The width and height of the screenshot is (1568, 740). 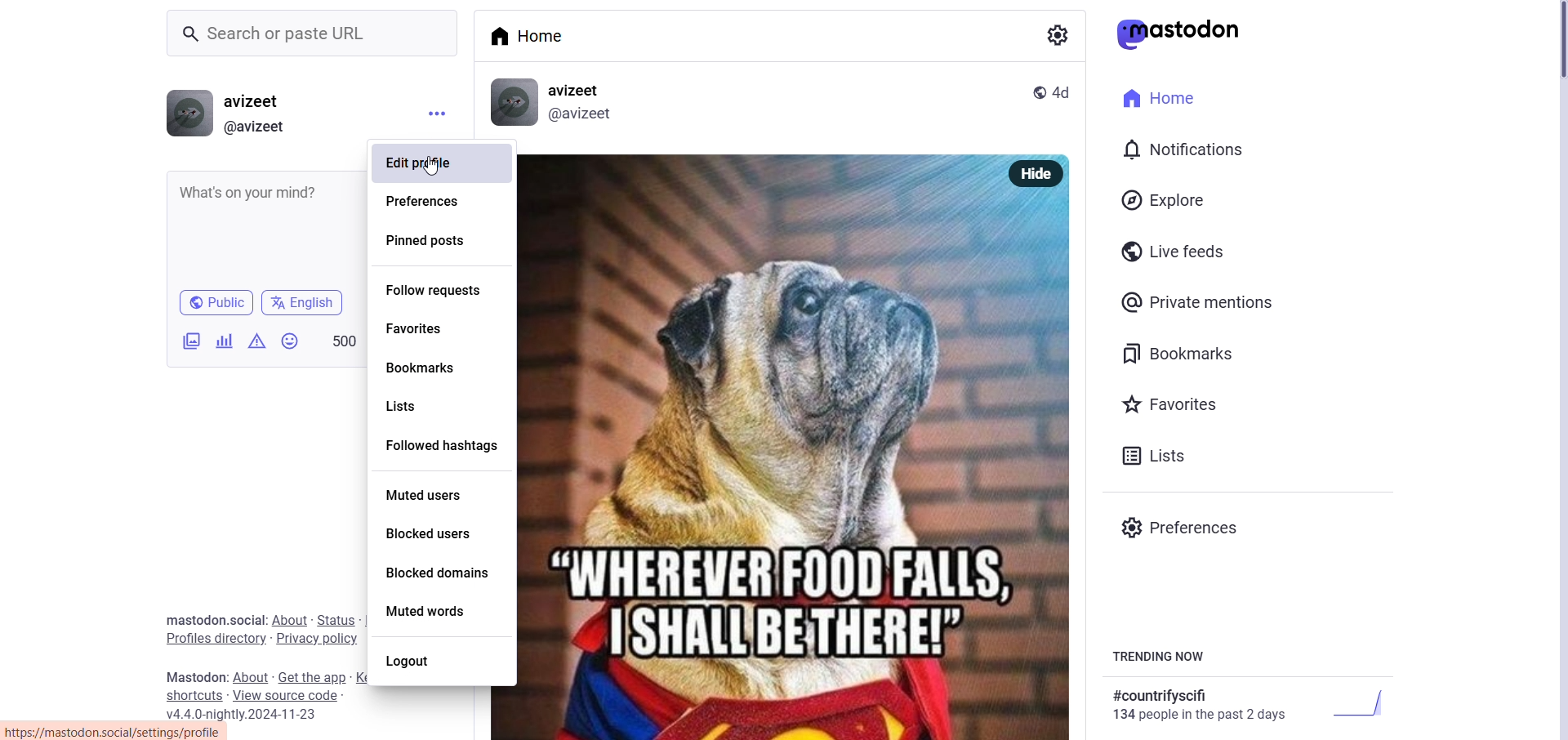 I want to click on status, so click(x=333, y=618).